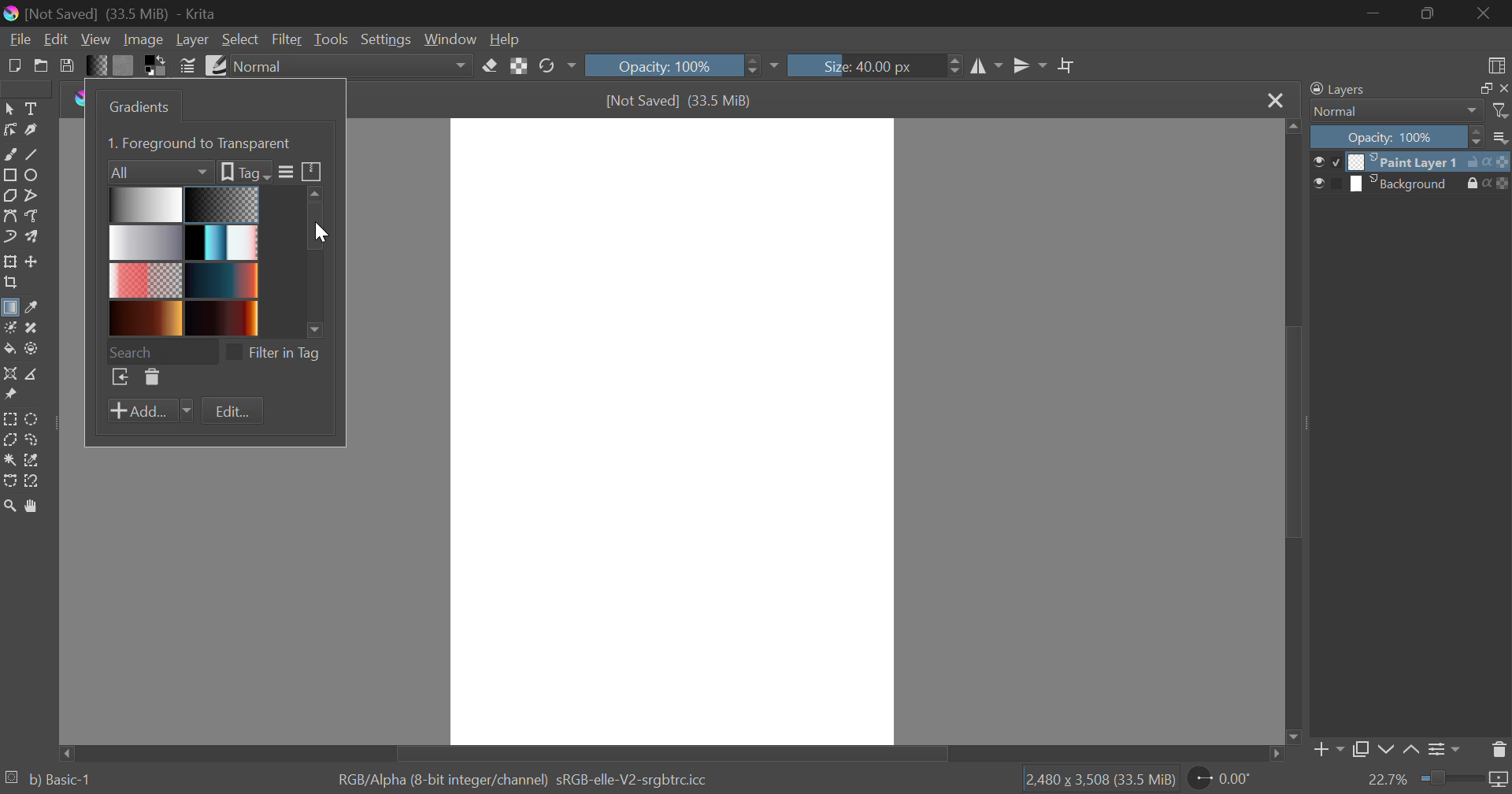 The image size is (1512, 794). I want to click on Similar Color Selection, so click(32, 461).